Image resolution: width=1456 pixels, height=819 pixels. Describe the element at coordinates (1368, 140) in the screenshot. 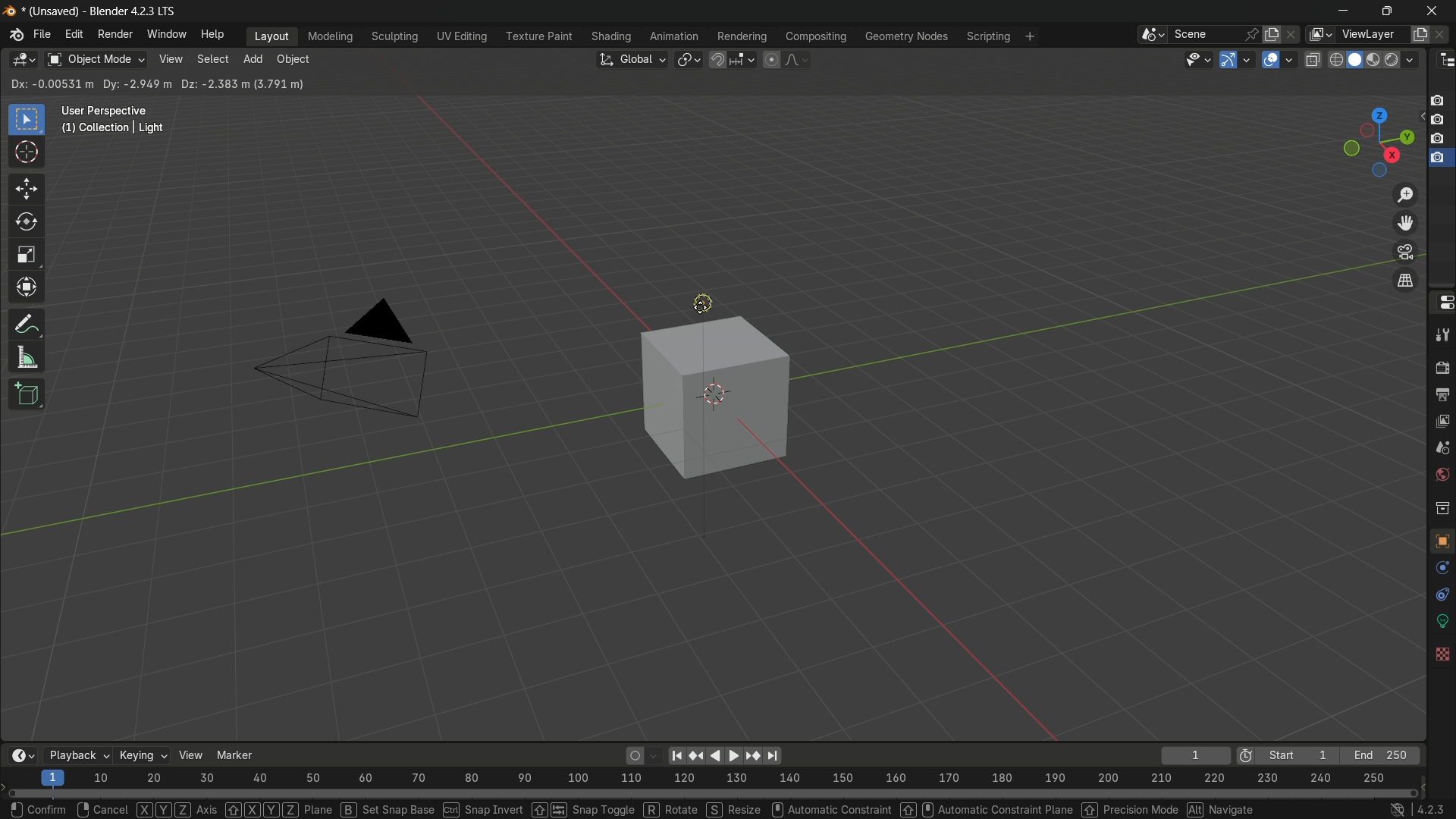

I see `preset viewpoint` at that location.